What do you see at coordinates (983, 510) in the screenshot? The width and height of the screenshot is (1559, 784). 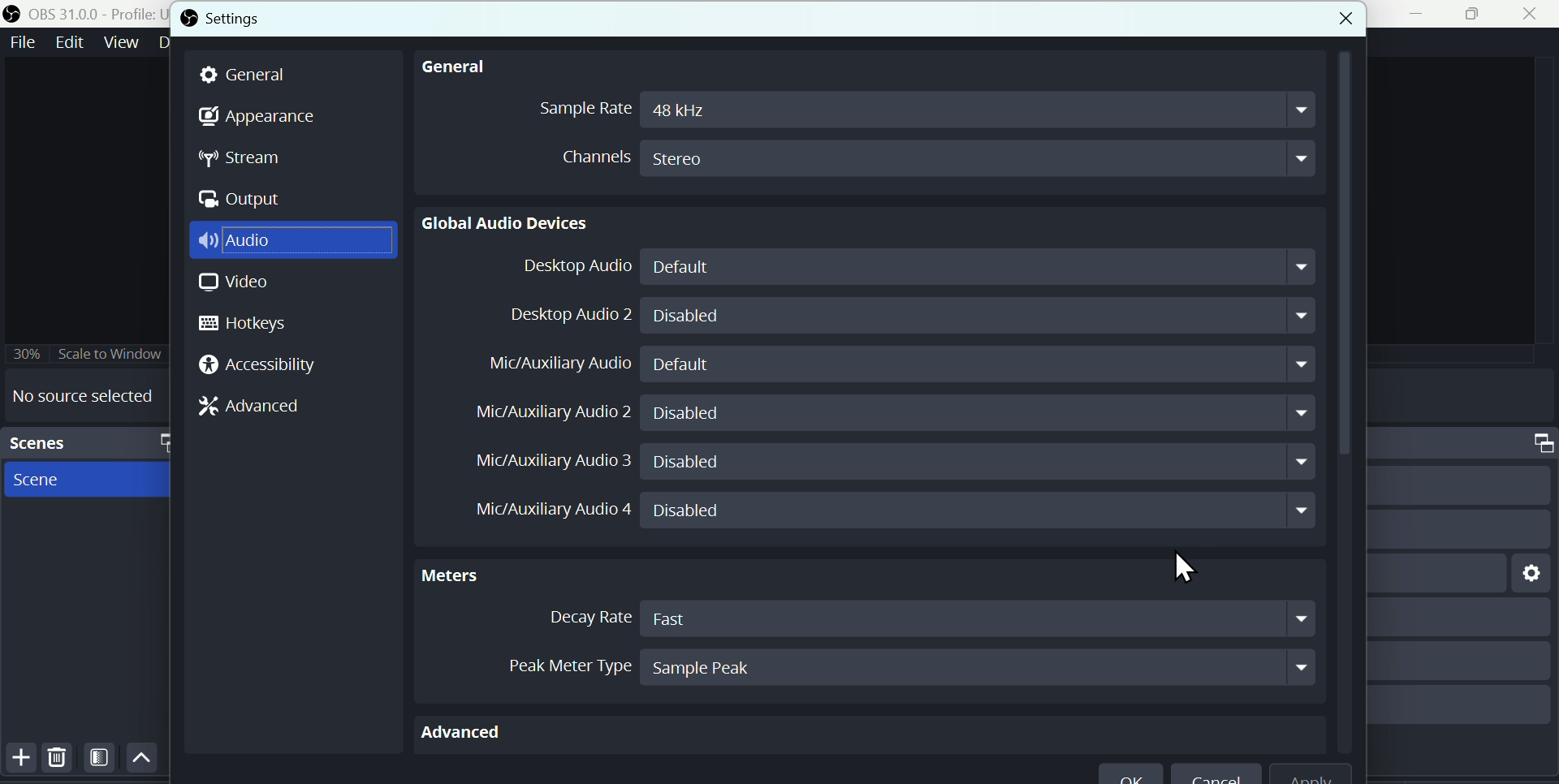 I see `Disabled` at bounding box center [983, 510].